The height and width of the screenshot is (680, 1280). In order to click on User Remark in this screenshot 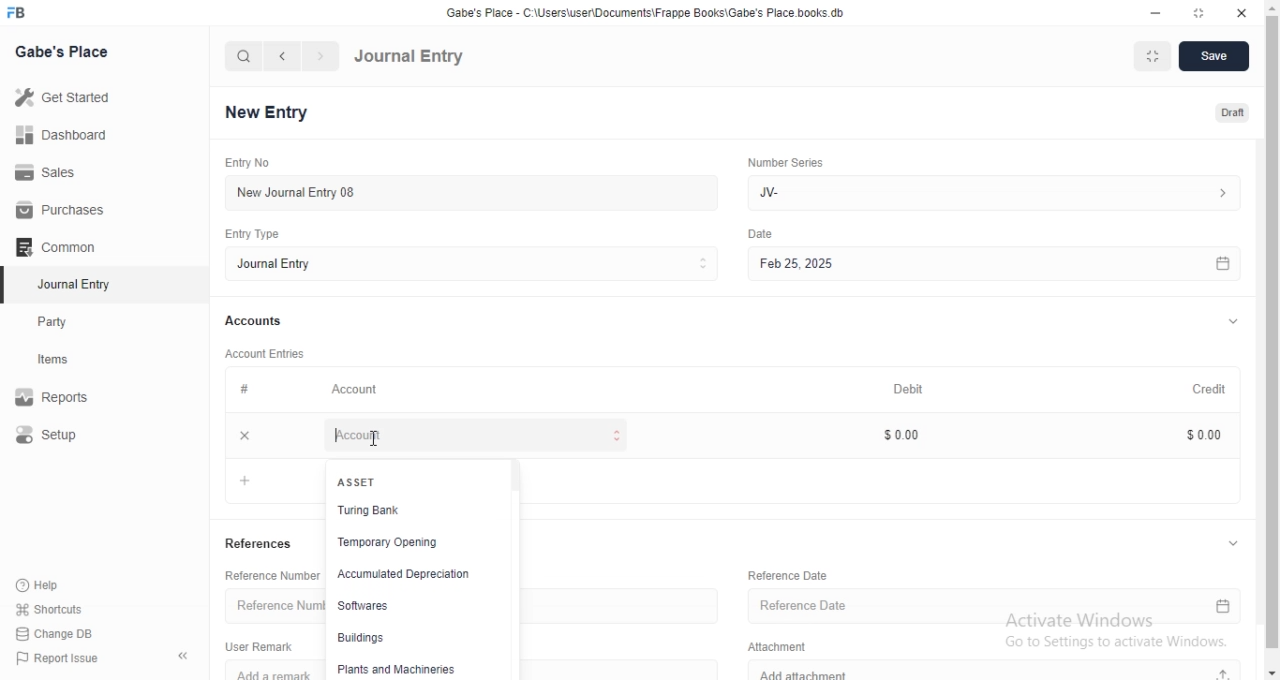, I will do `click(259, 646)`.